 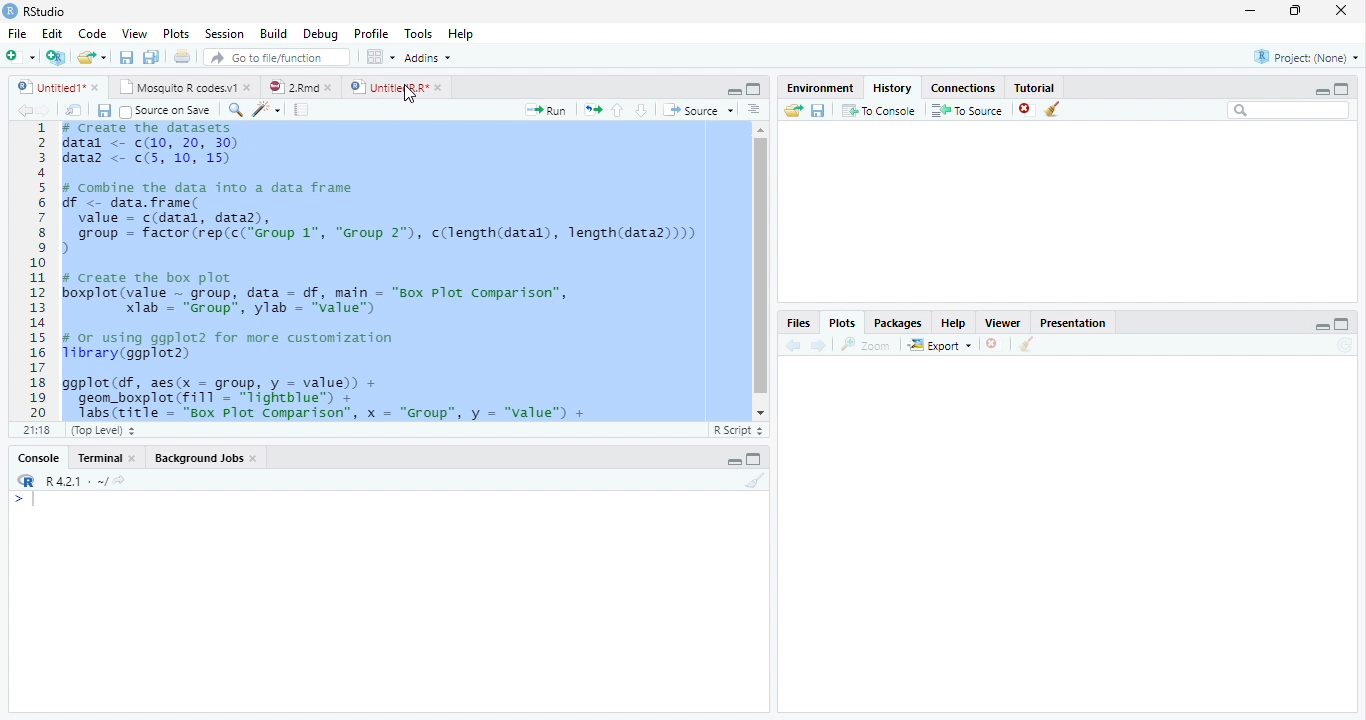 What do you see at coordinates (761, 271) in the screenshot?
I see `vertical scroll bar` at bounding box center [761, 271].